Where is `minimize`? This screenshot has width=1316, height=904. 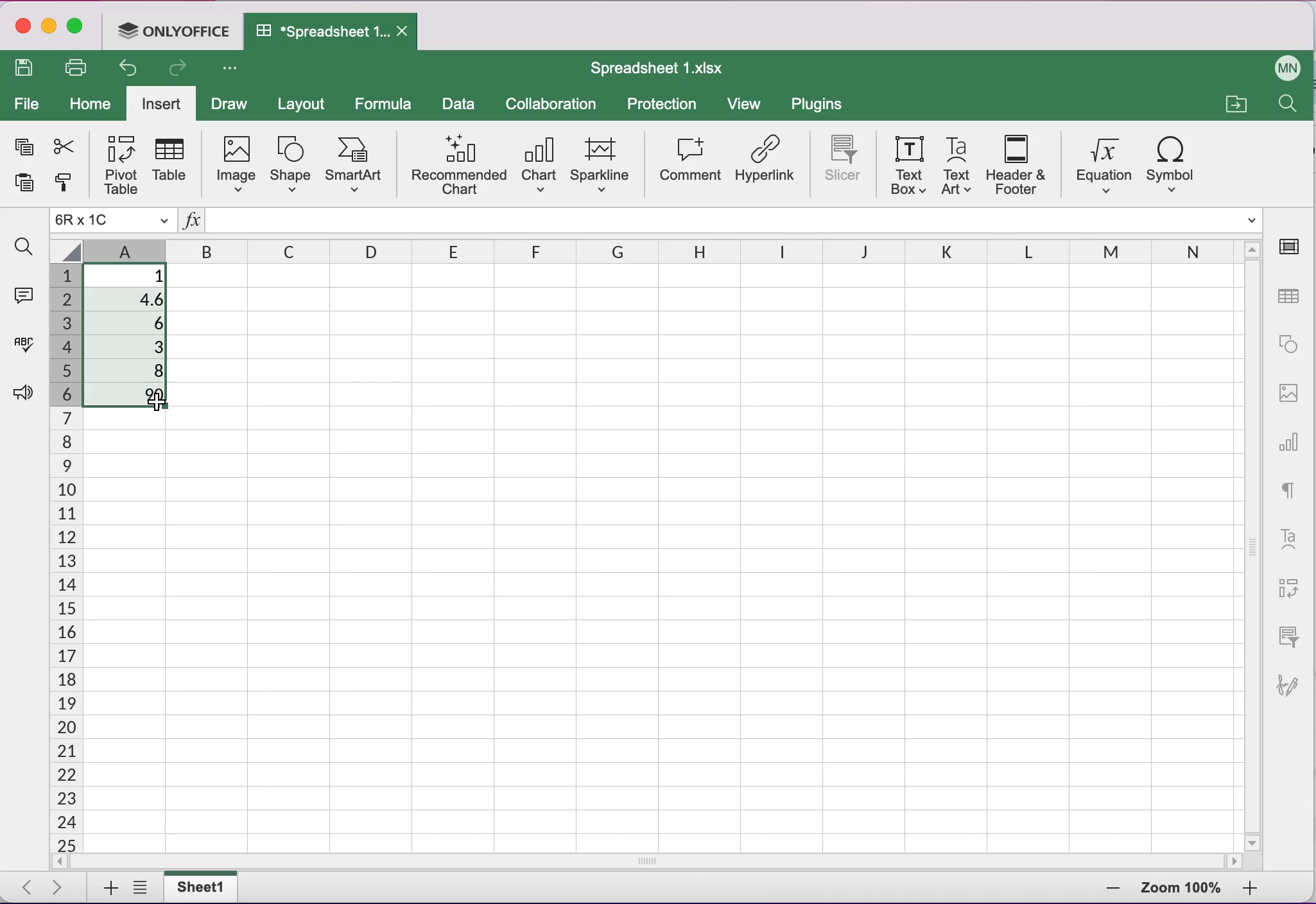
minimize is located at coordinates (50, 28).